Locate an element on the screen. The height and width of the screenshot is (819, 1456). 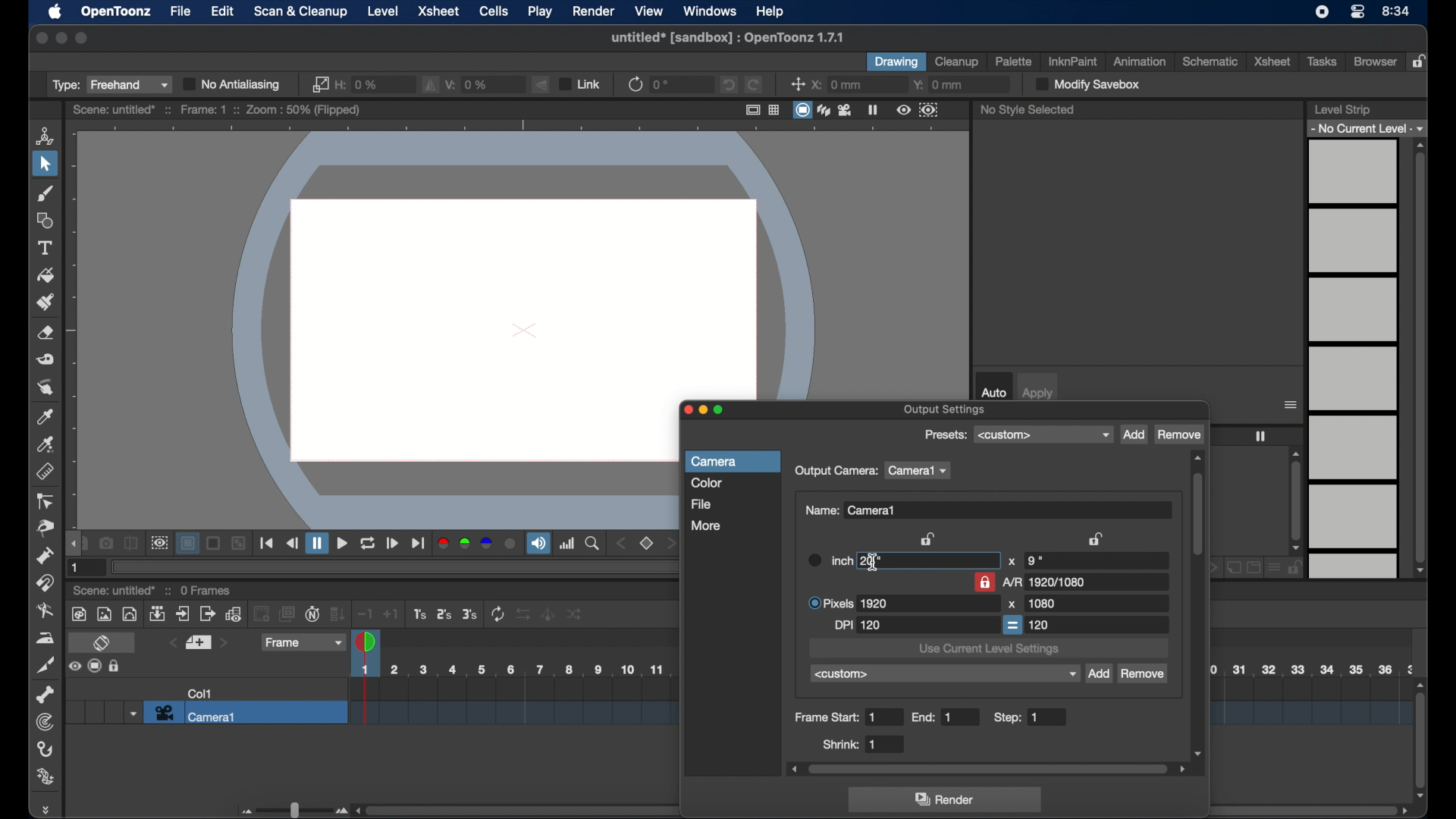
maximize is located at coordinates (722, 411).